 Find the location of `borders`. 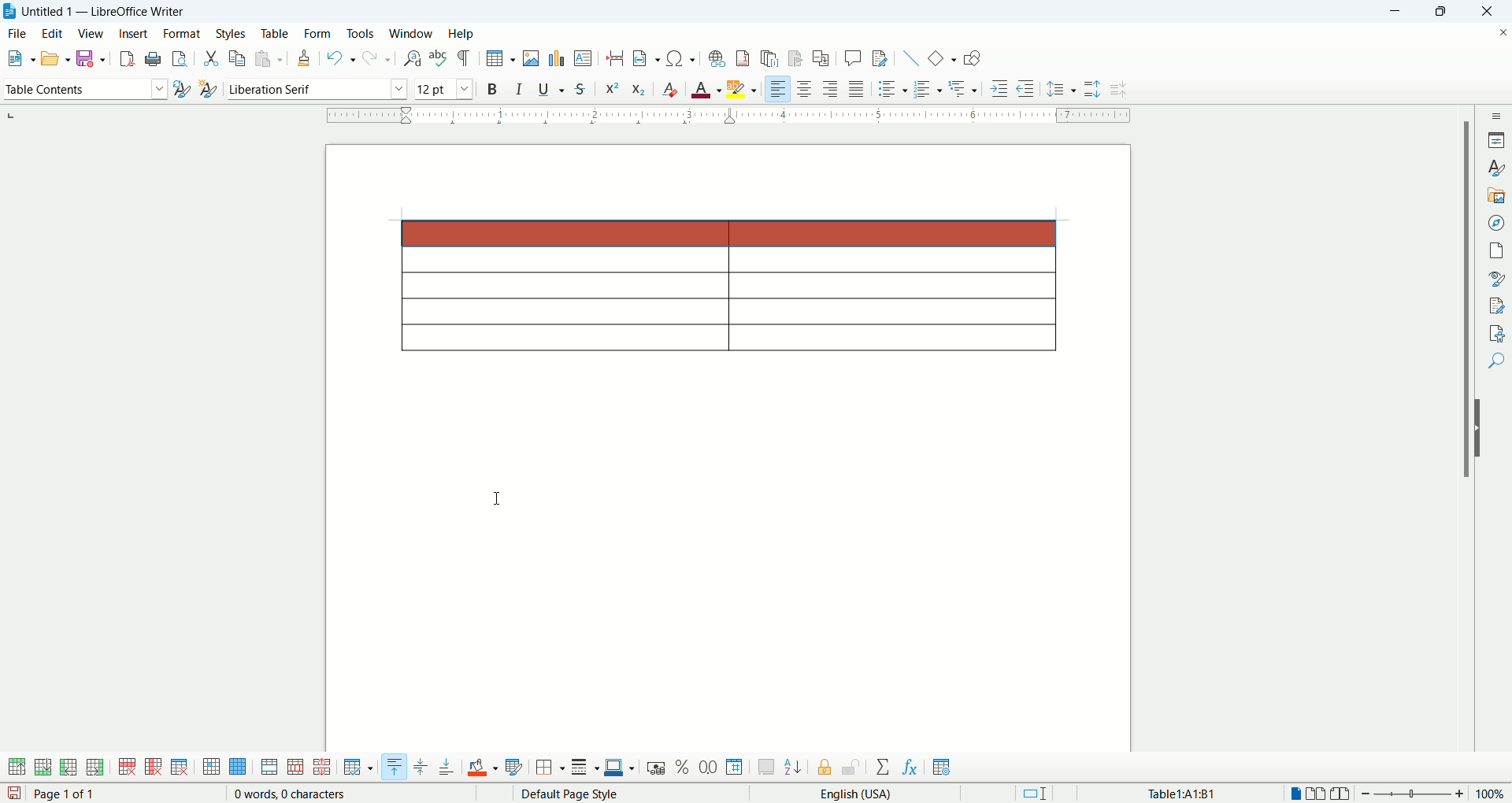

borders is located at coordinates (550, 768).